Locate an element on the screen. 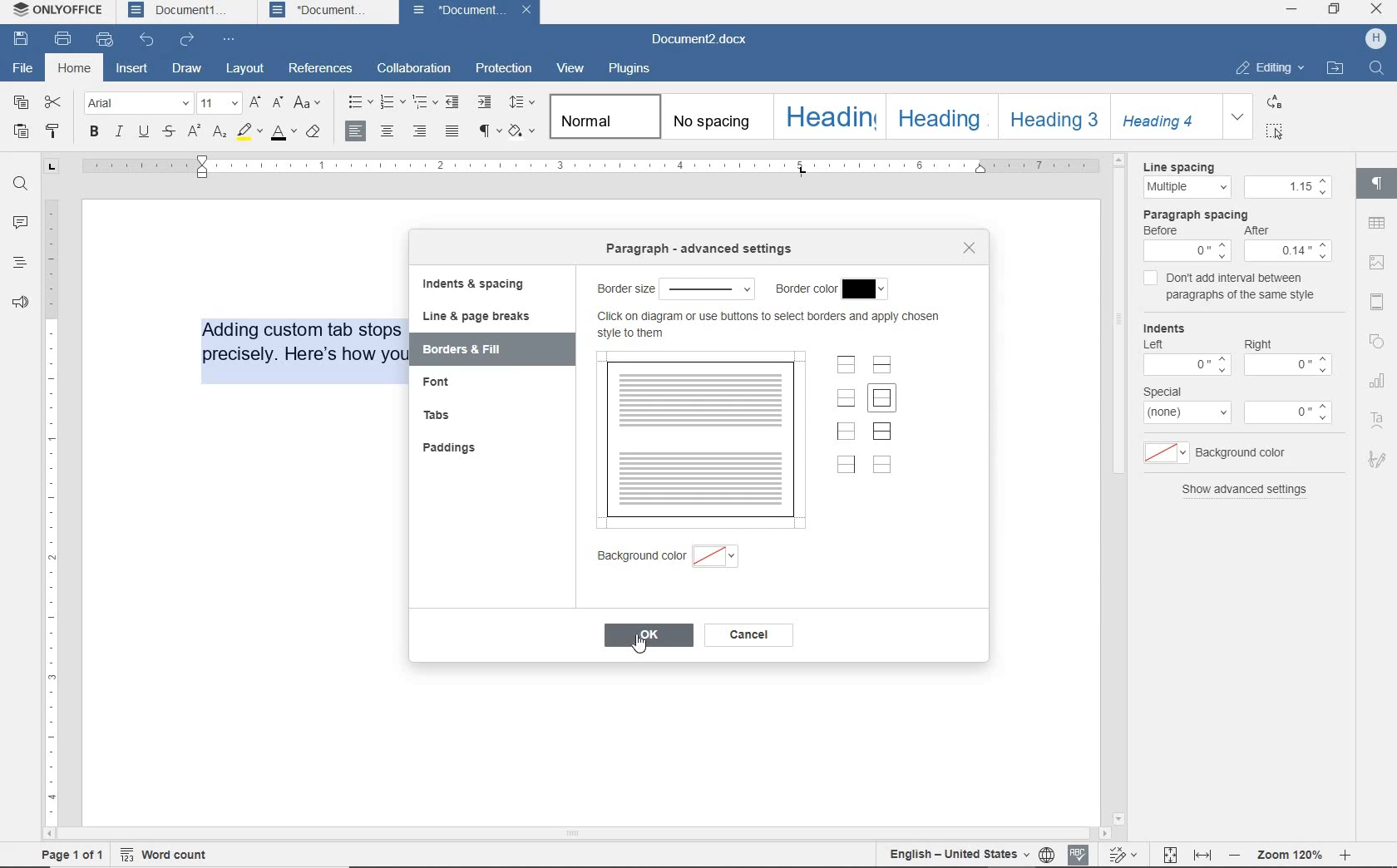  copy style is located at coordinates (51, 131).